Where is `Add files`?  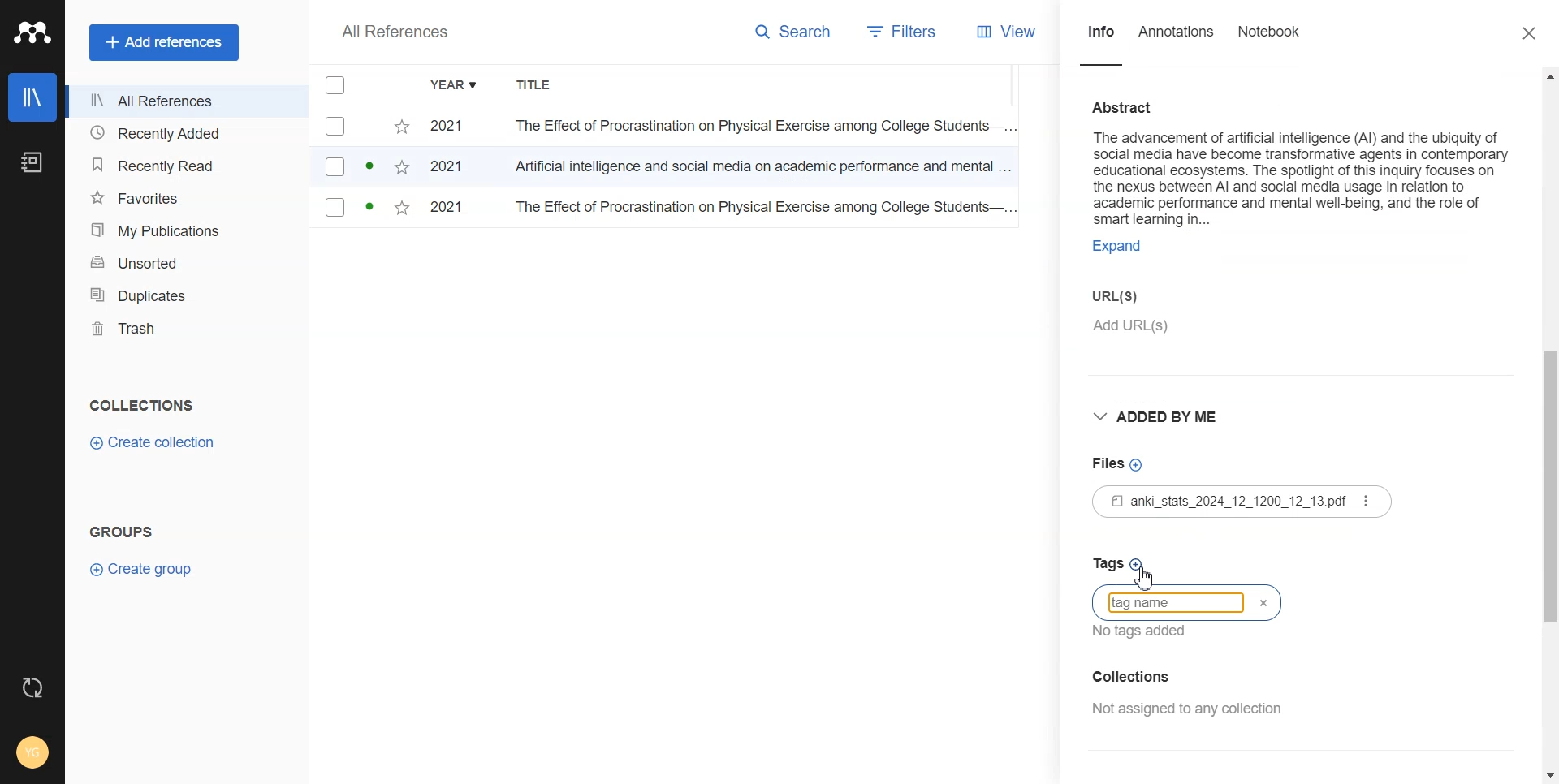 Add files is located at coordinates (1121, 463).